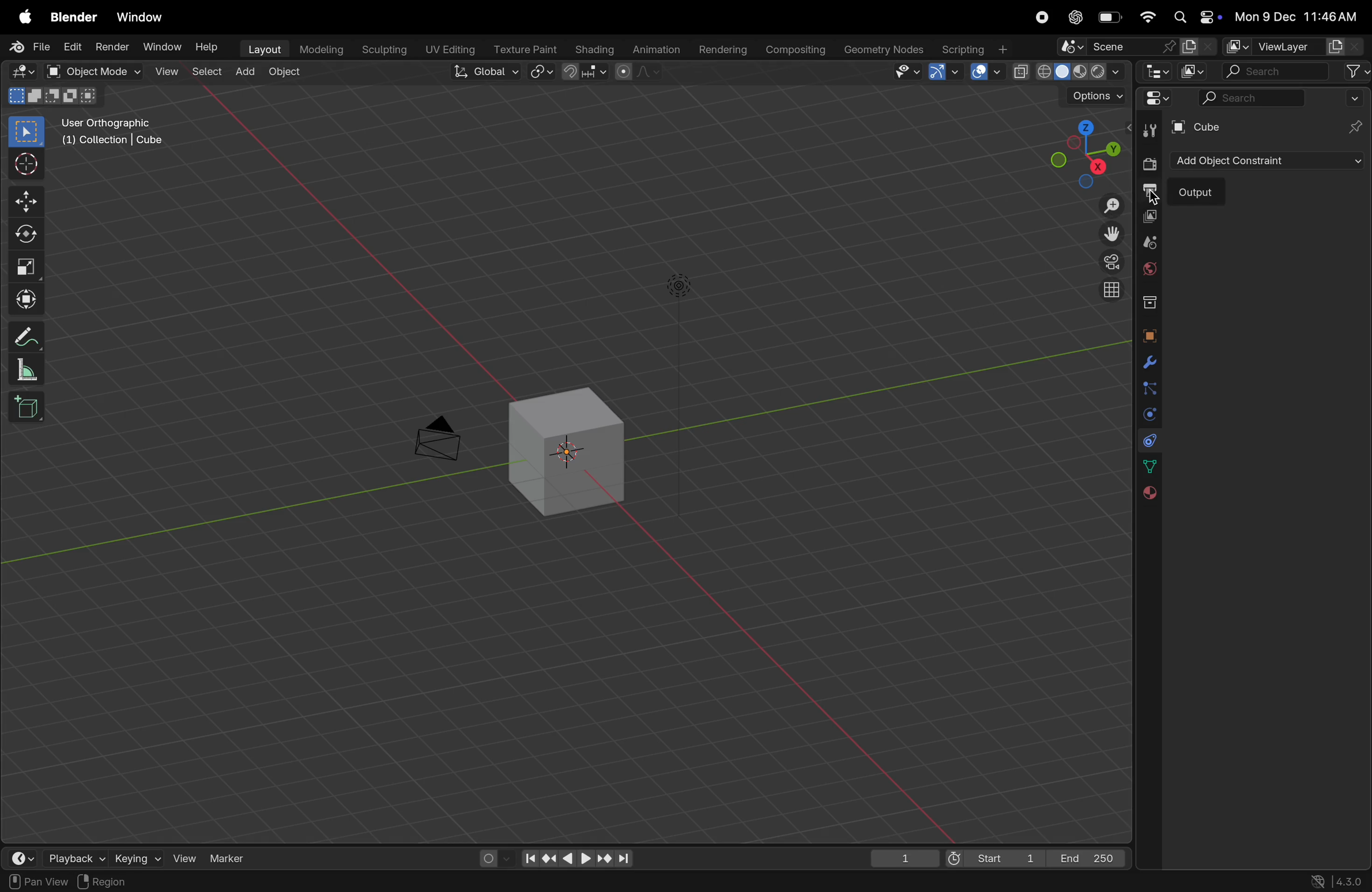  Describe the element at coordinates (26, 369) in the screenshot. I see `measure` at that location.